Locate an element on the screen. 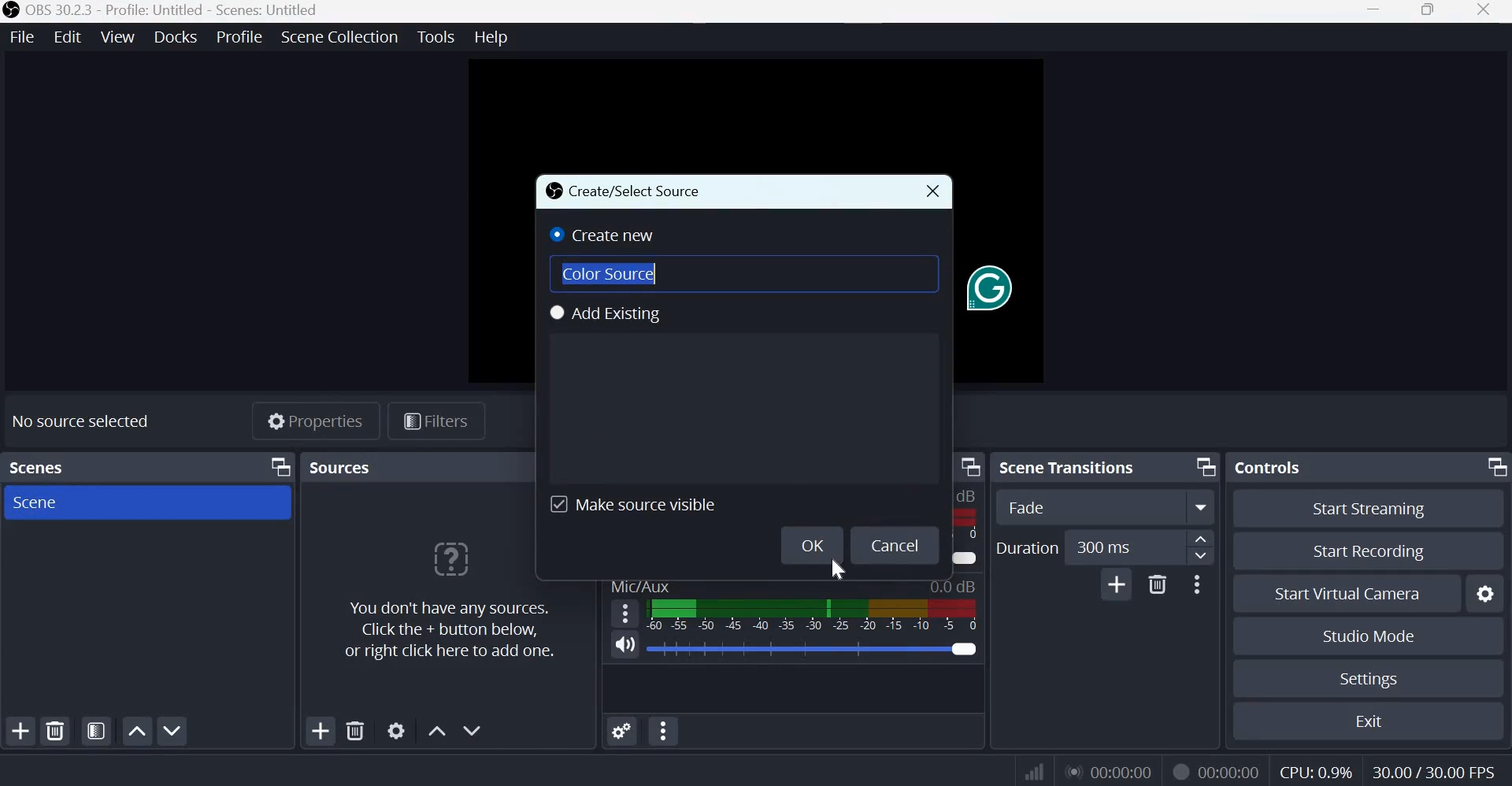  Move source(s) up is located at coordinates (437, 729).